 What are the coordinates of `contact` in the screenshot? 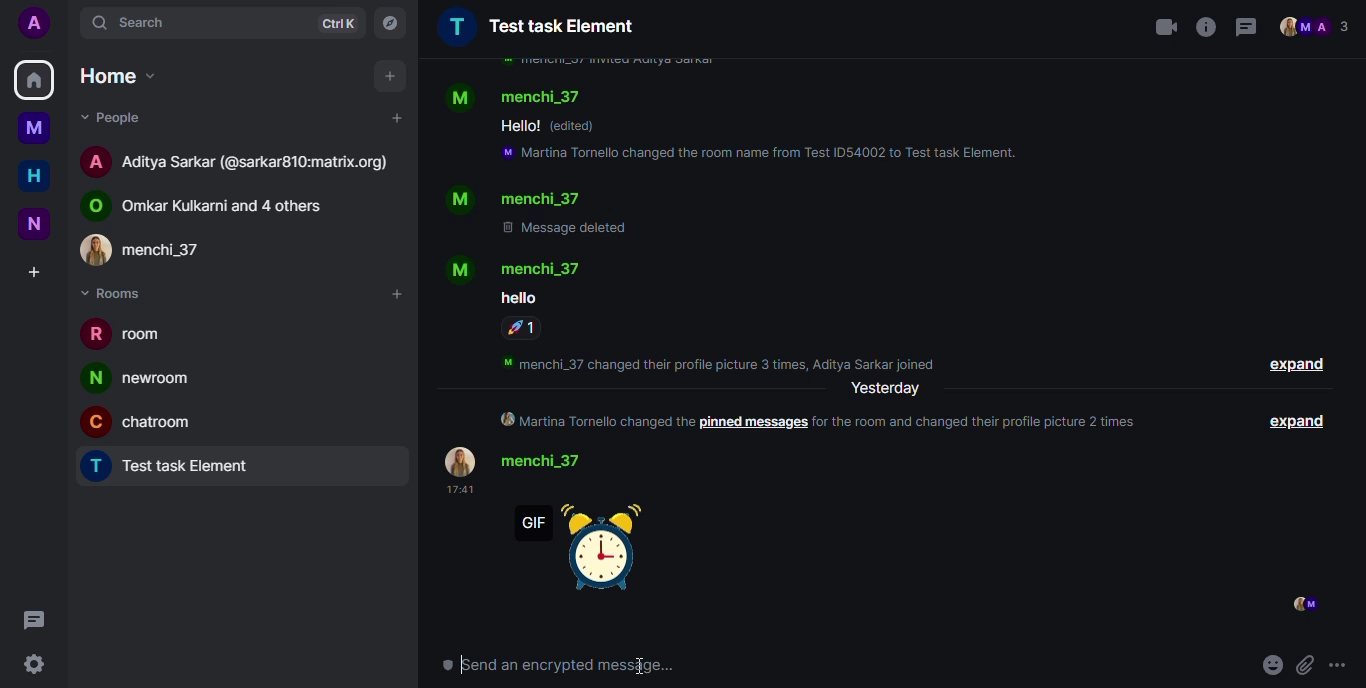 It's located at (515, 199).